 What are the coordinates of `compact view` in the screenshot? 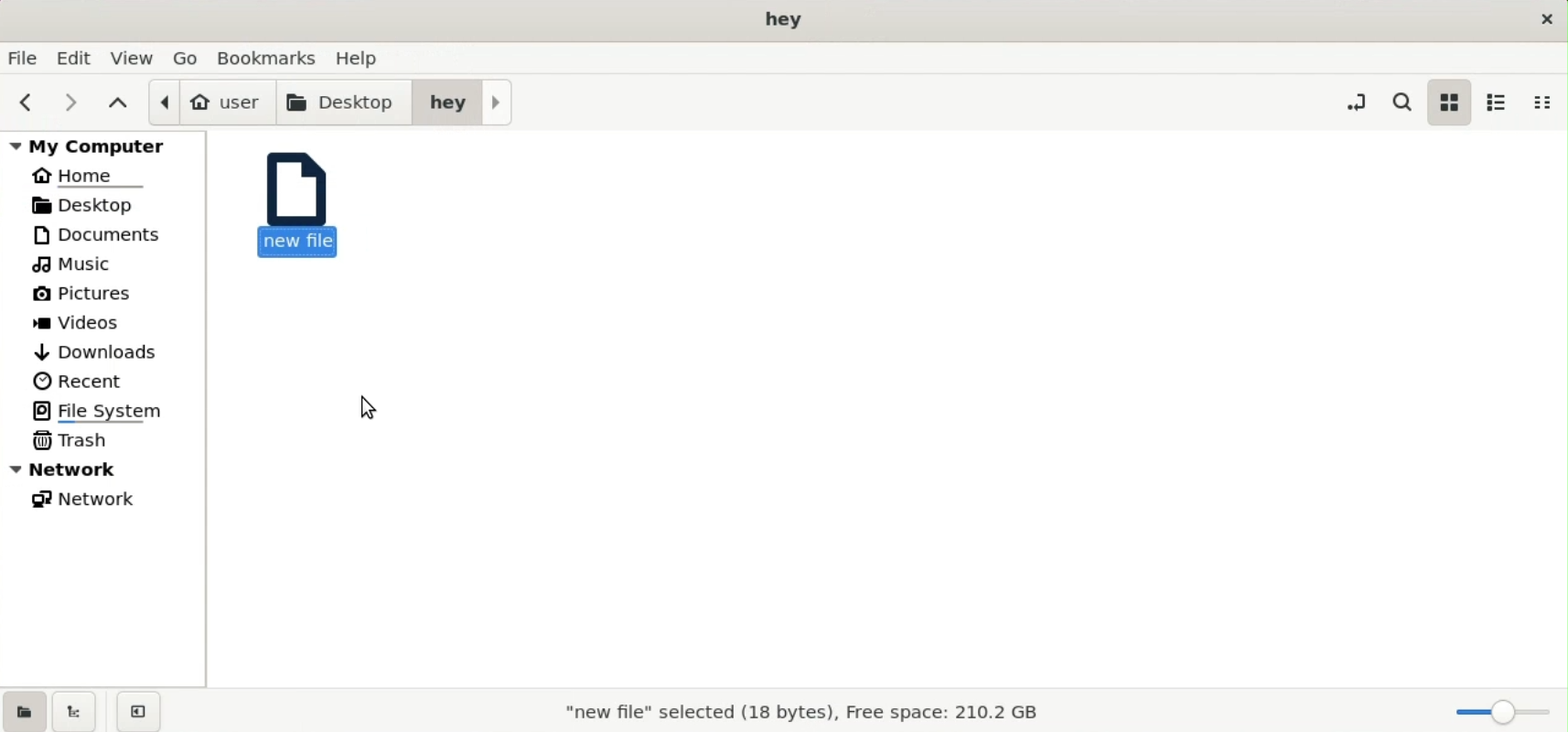 It's located at (1548, 102).